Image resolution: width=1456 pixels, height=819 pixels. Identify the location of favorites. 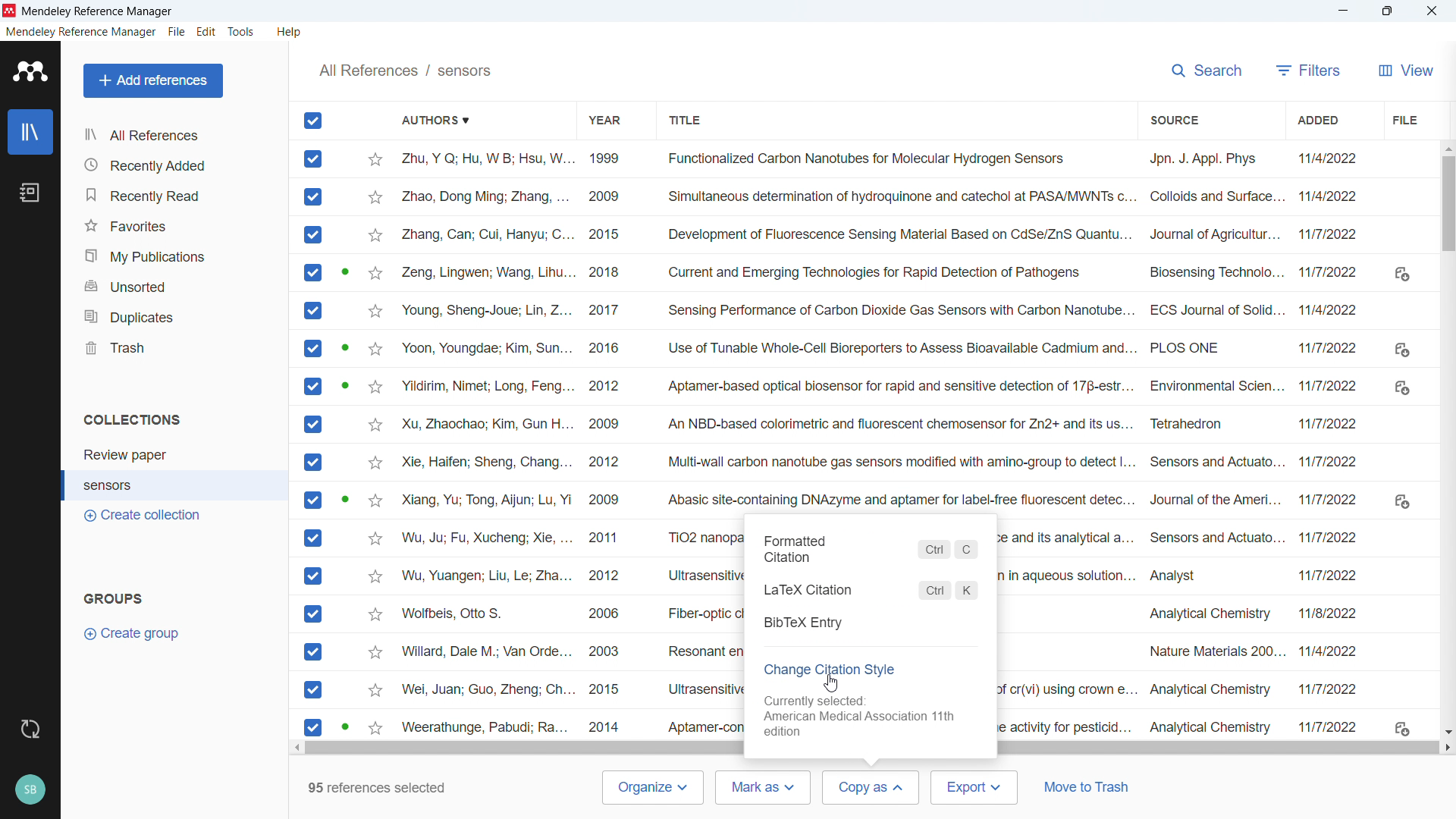
(175, 226).